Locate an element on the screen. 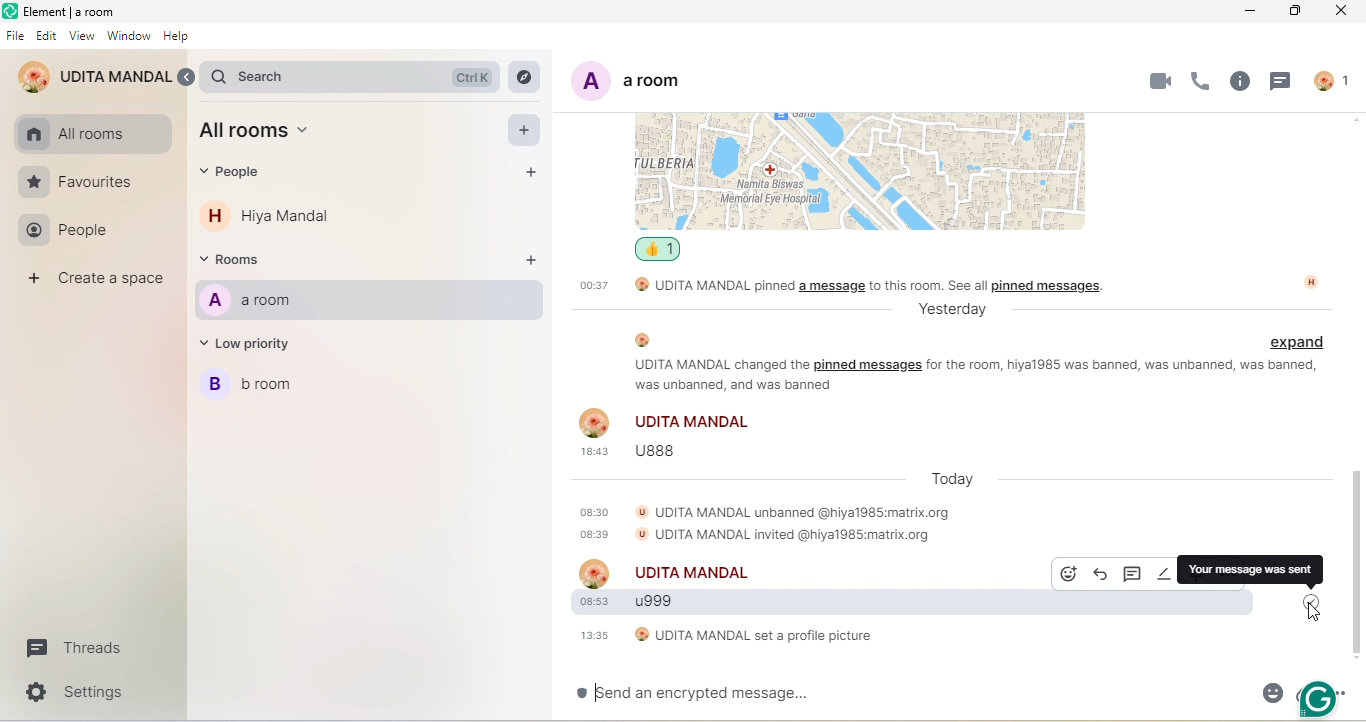  Grammerly is located at coordinates (1318, 701).